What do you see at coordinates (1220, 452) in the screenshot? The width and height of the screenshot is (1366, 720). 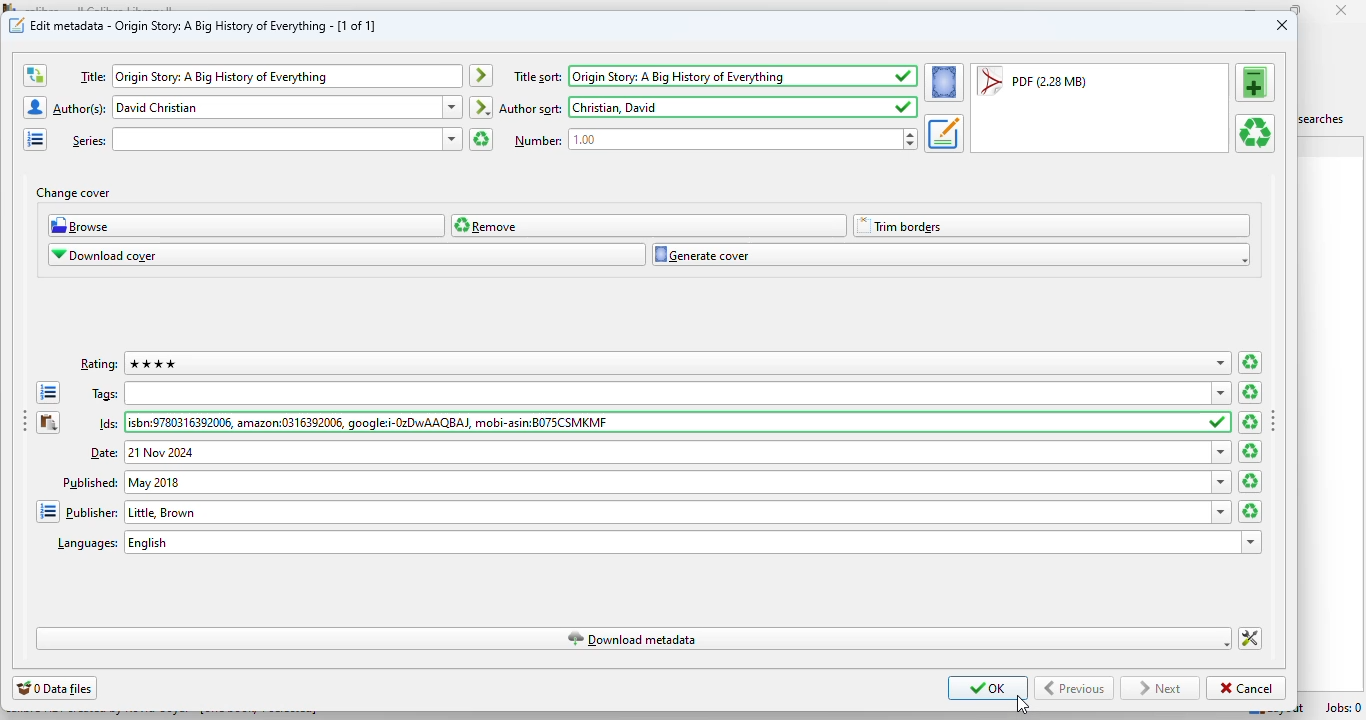 I see `dropdown` at bounding box center [1220, 452].